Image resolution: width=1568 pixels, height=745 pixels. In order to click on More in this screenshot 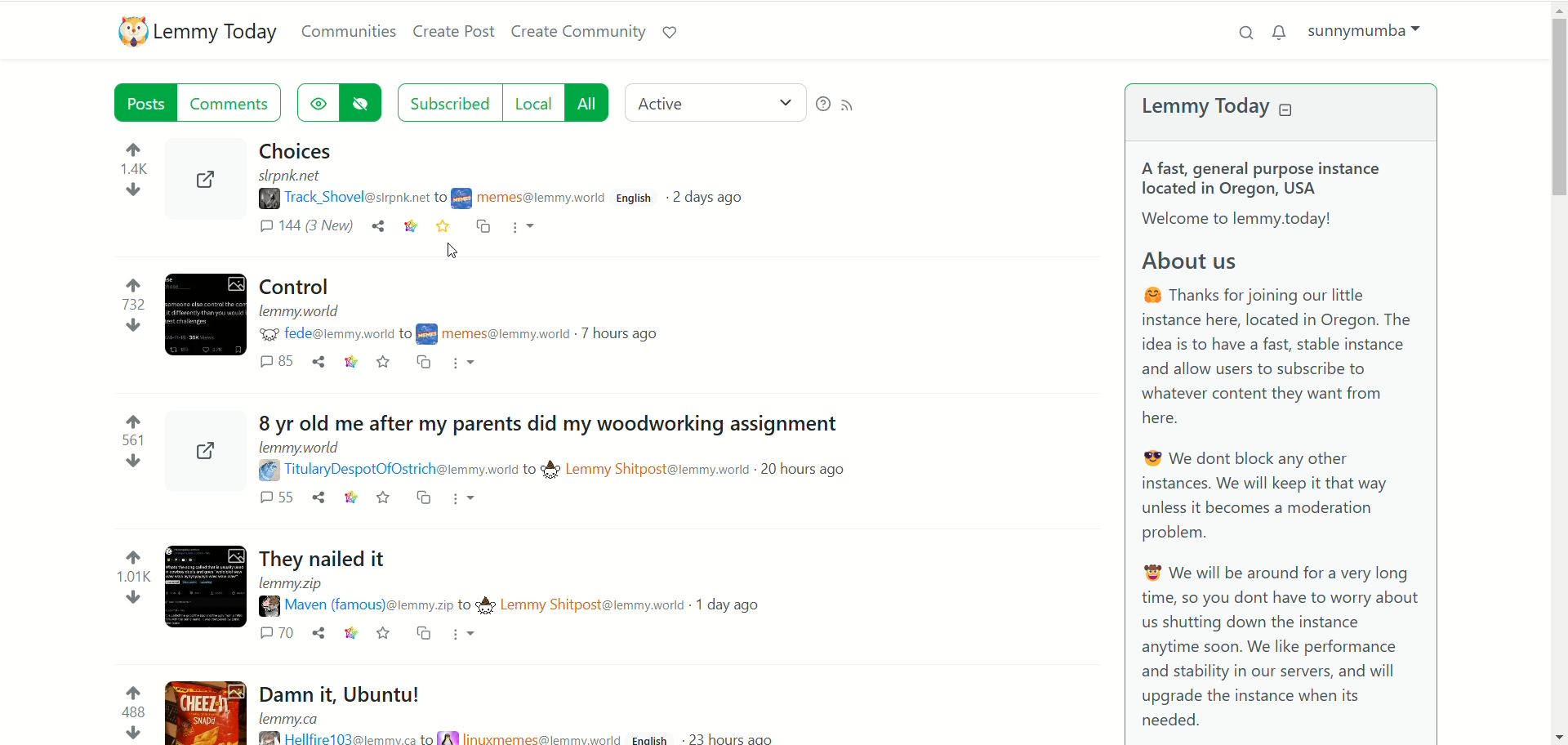, I will do `click(461, 635)`.